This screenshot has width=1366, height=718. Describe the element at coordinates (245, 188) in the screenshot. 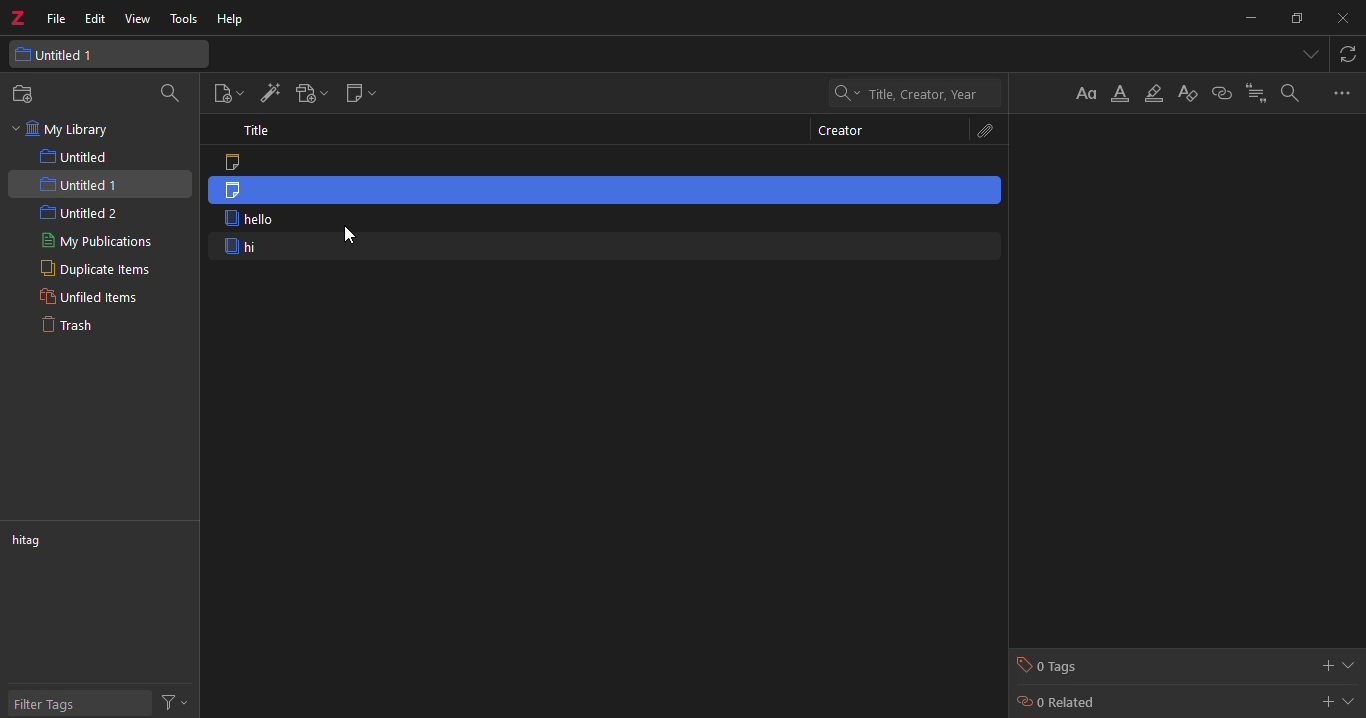

I see `note` at that location.